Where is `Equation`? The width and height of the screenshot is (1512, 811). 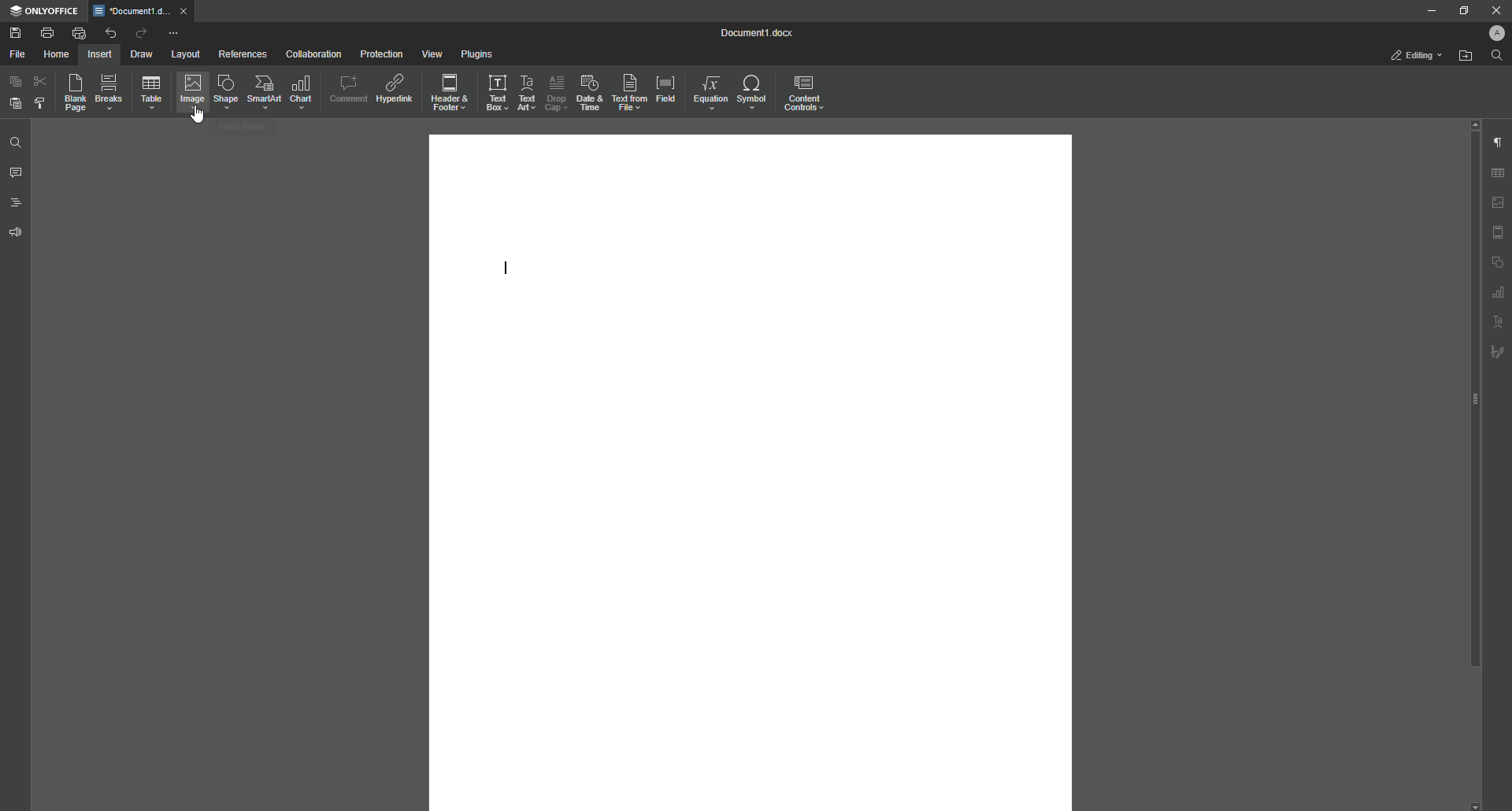 Equation is located at coordinates (706, 94).